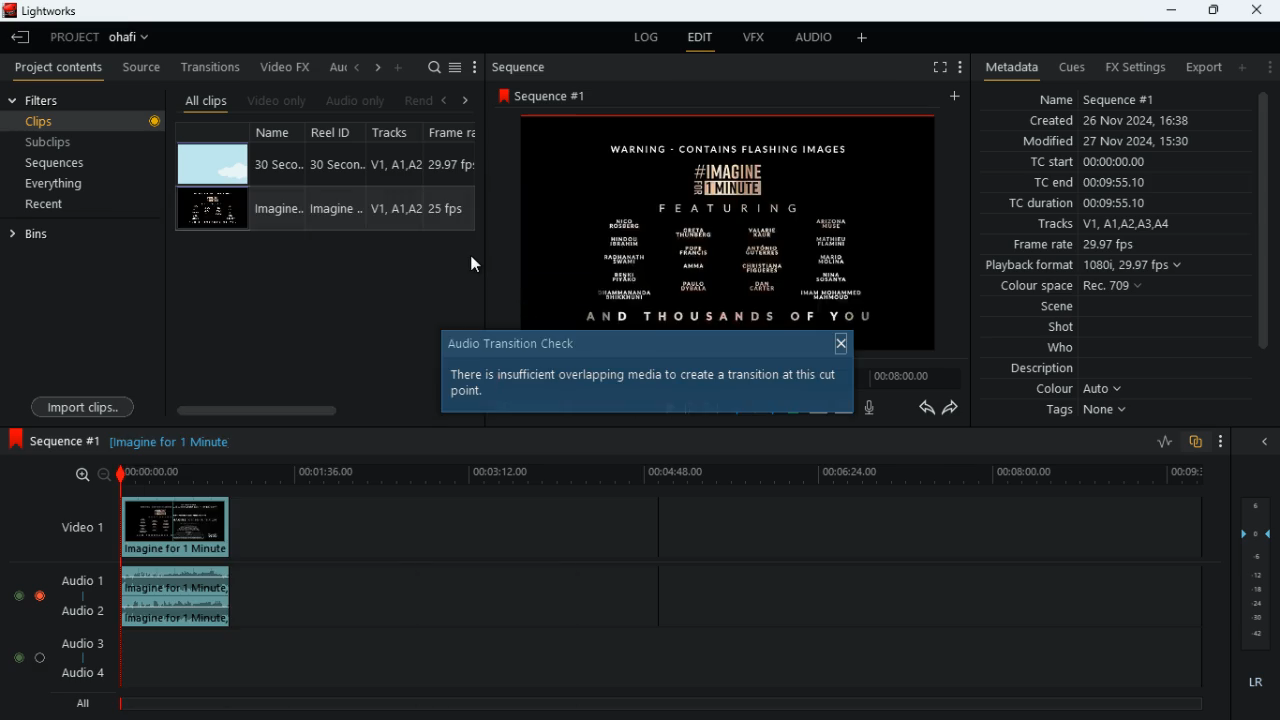 This screenshot has height=720, width=1280. I want to click on message, so click(648, 388).